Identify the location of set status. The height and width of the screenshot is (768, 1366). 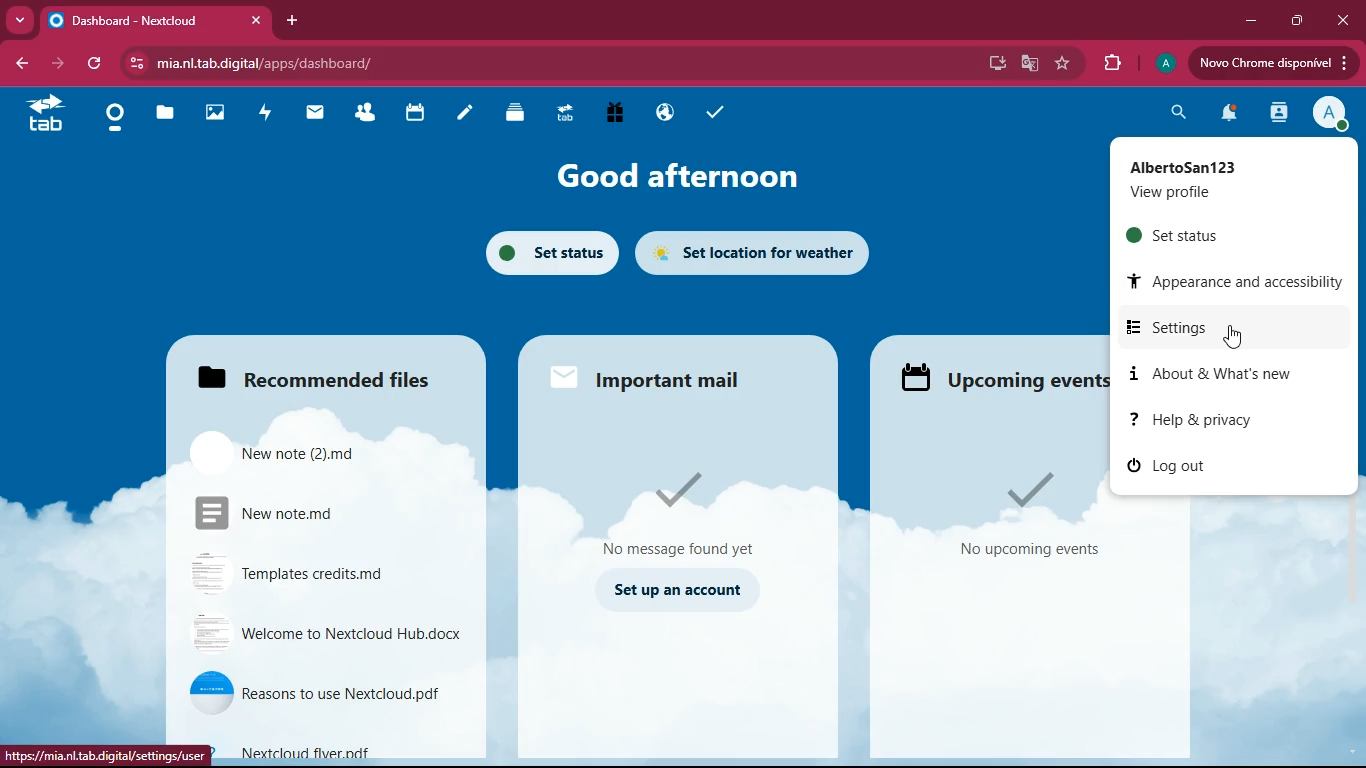
(1230, 234).